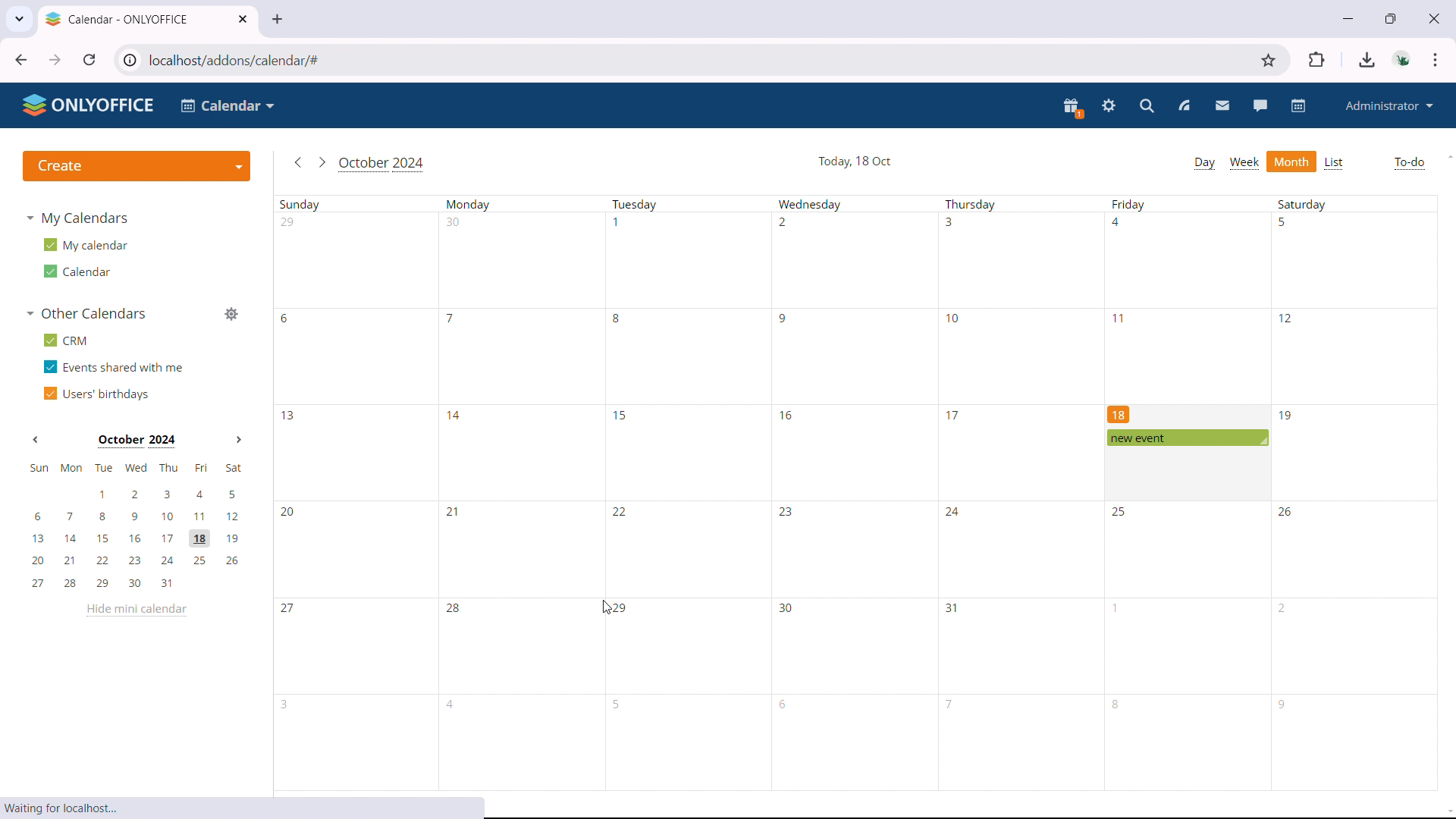 This screenshot has height=819, width=1456. Describe the element at coordinates (1432, 17) in the screenshot. I see `close` at that location.